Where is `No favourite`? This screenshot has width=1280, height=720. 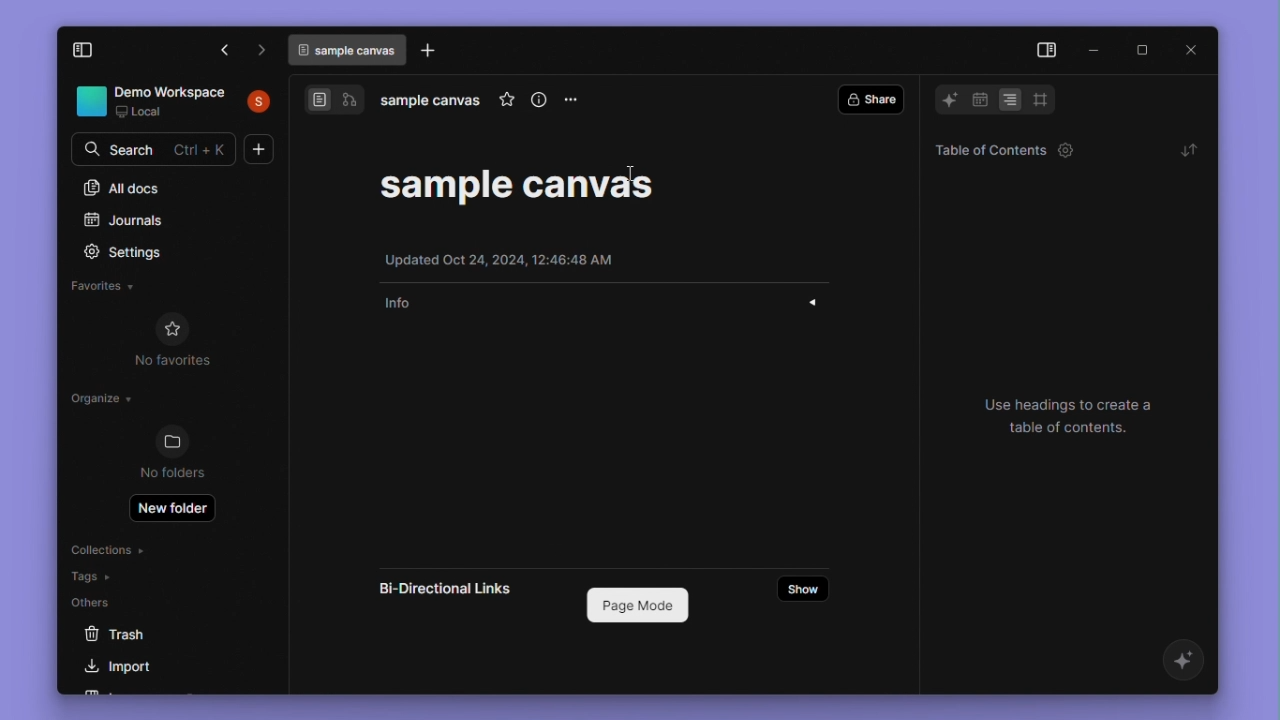 No favourite is located at coordinates (183, 340).